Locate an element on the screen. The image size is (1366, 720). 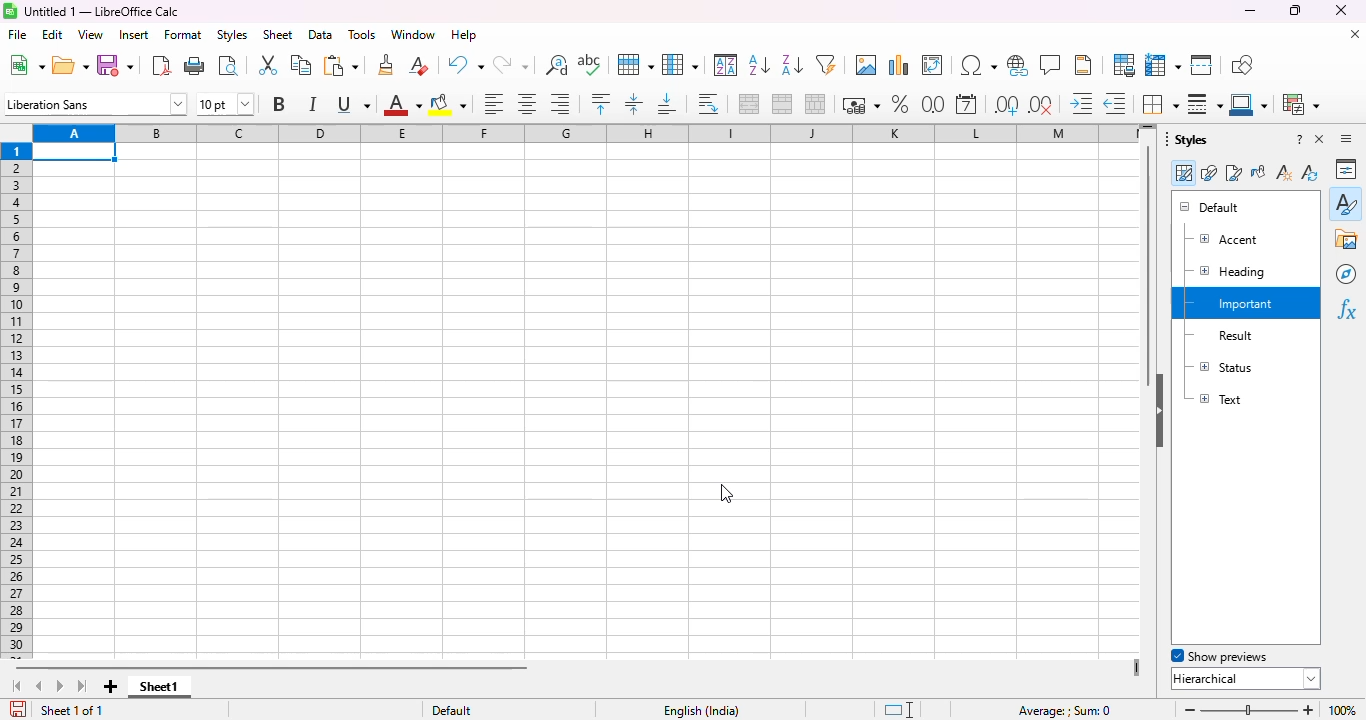
columns is located at coordinates (581, 133).